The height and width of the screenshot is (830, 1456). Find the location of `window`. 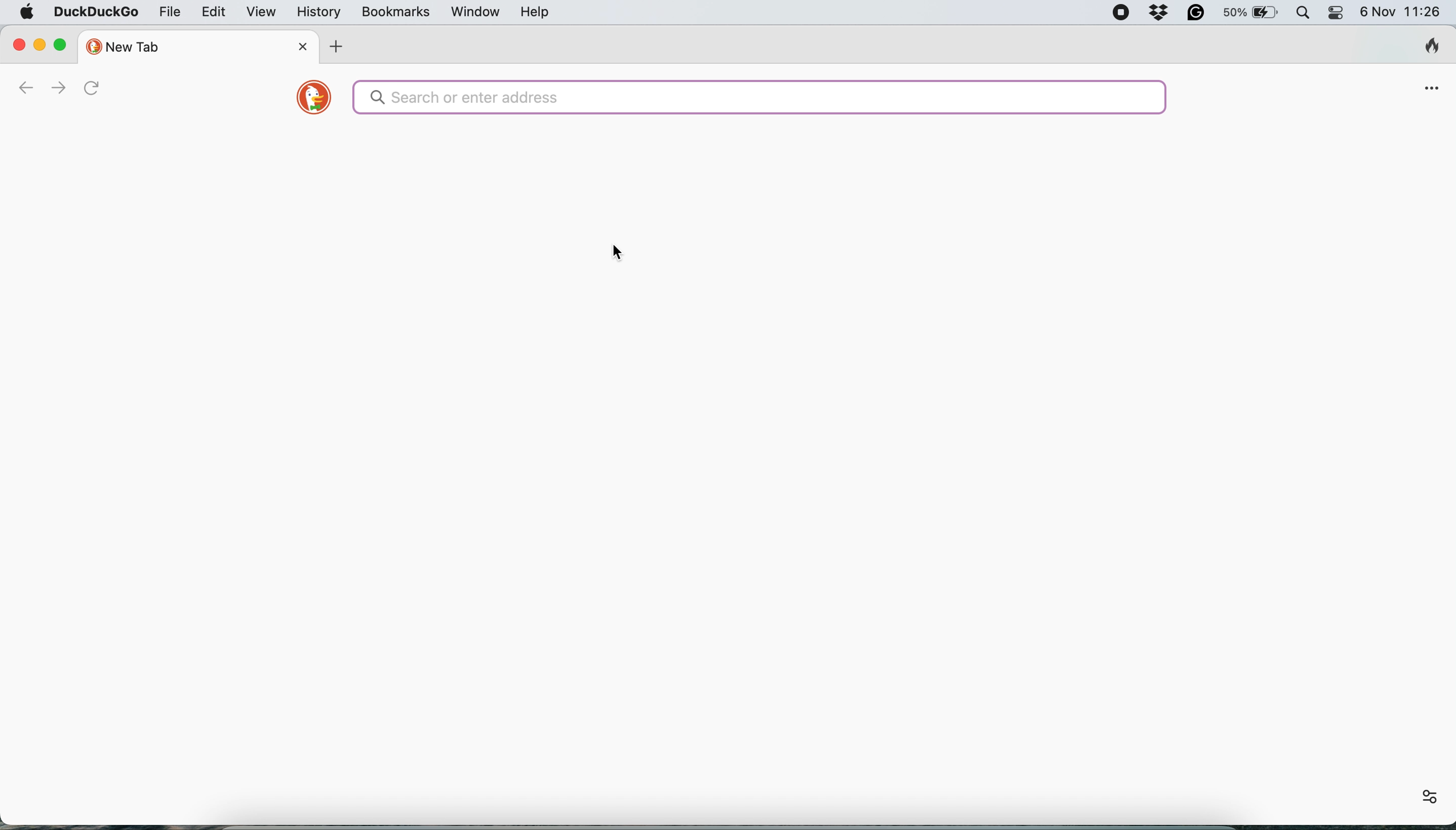

window is located at coordinates (475, 13).